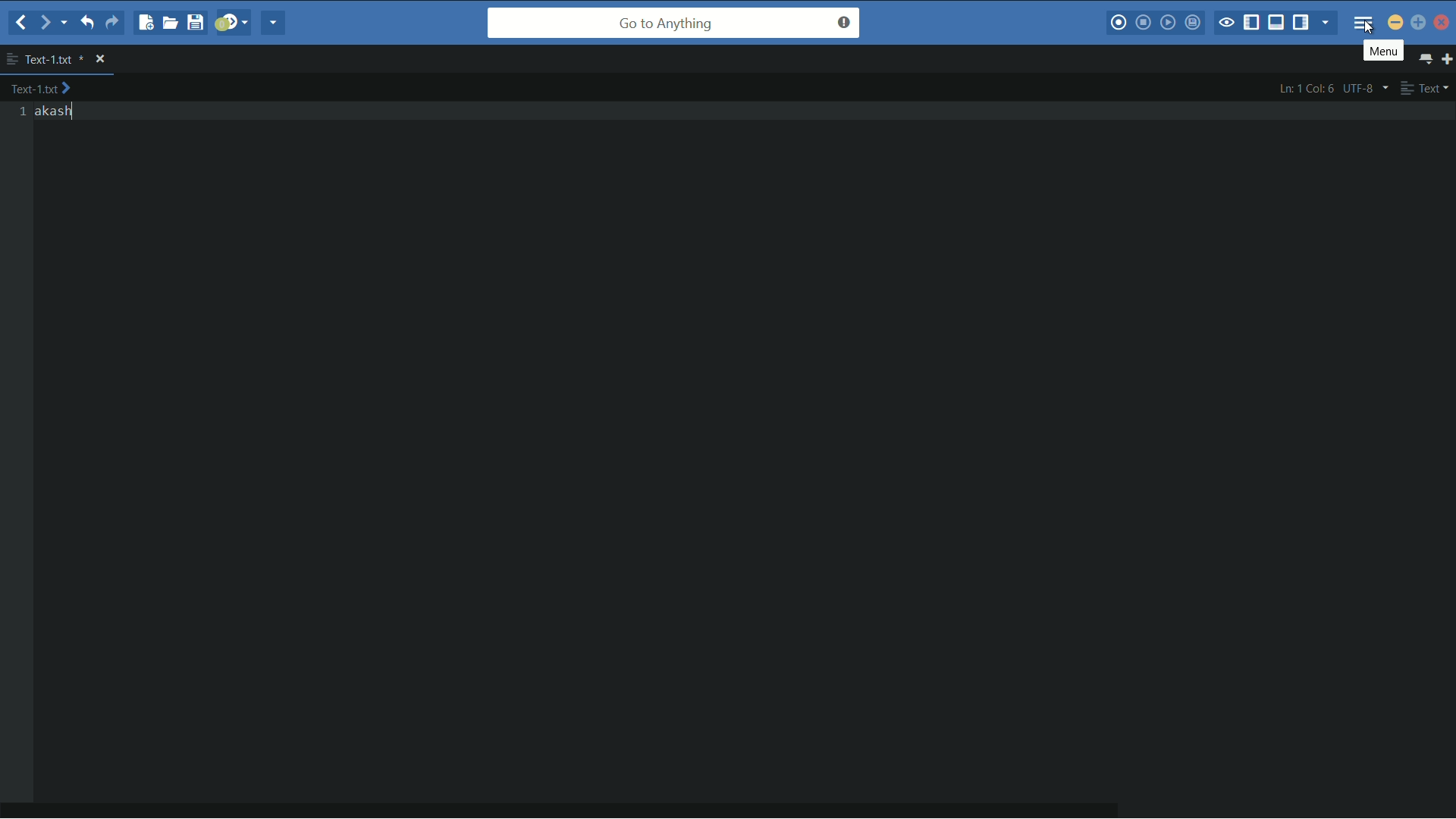 Image resolution: width=1456 pixels, height=819 pixels. What do you see at coordinates (20, 113) in the screenshot?
I see `line numbers` at bounding box center [20, 113].